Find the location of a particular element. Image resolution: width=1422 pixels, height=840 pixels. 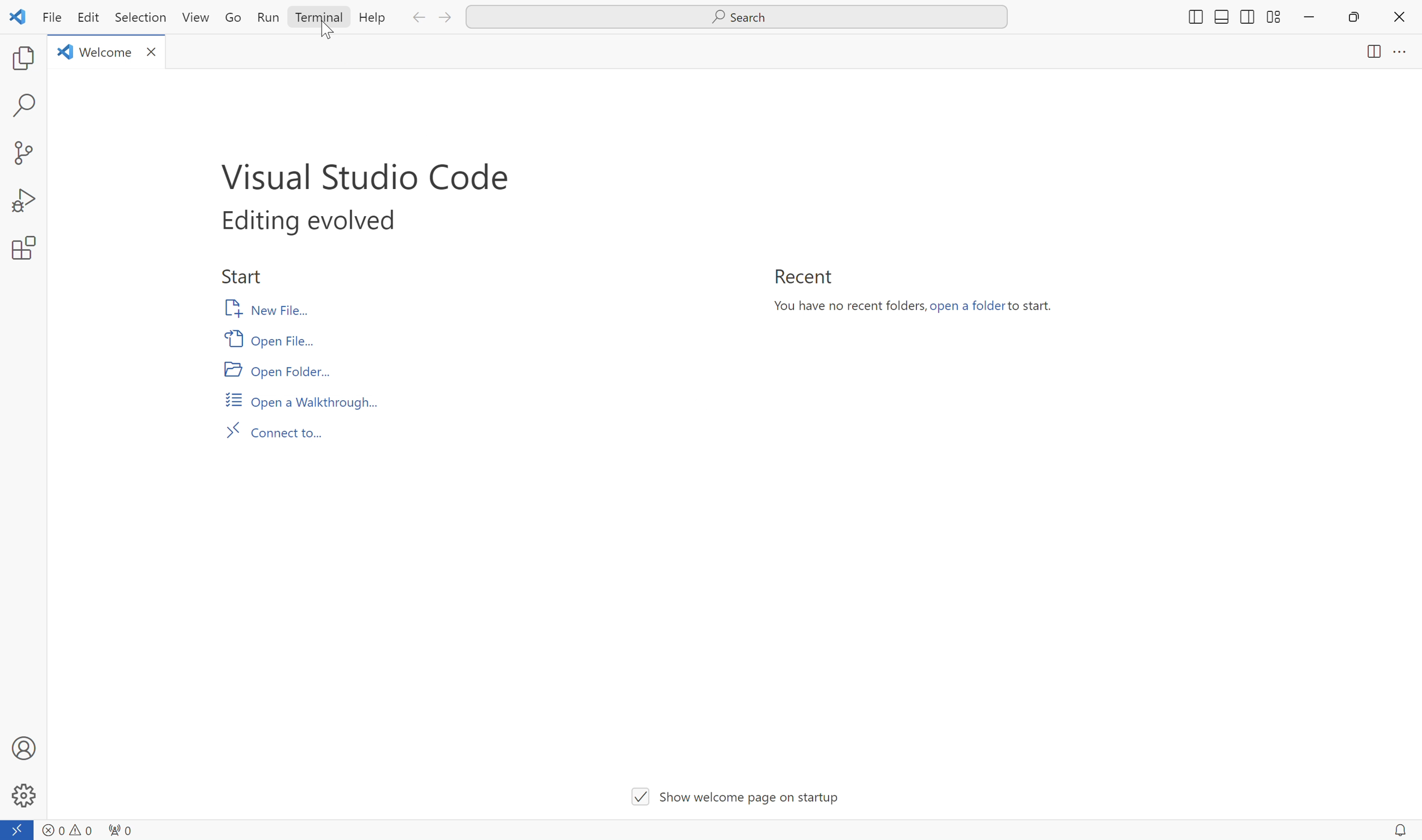

errors is located at coordinates (52, 826).